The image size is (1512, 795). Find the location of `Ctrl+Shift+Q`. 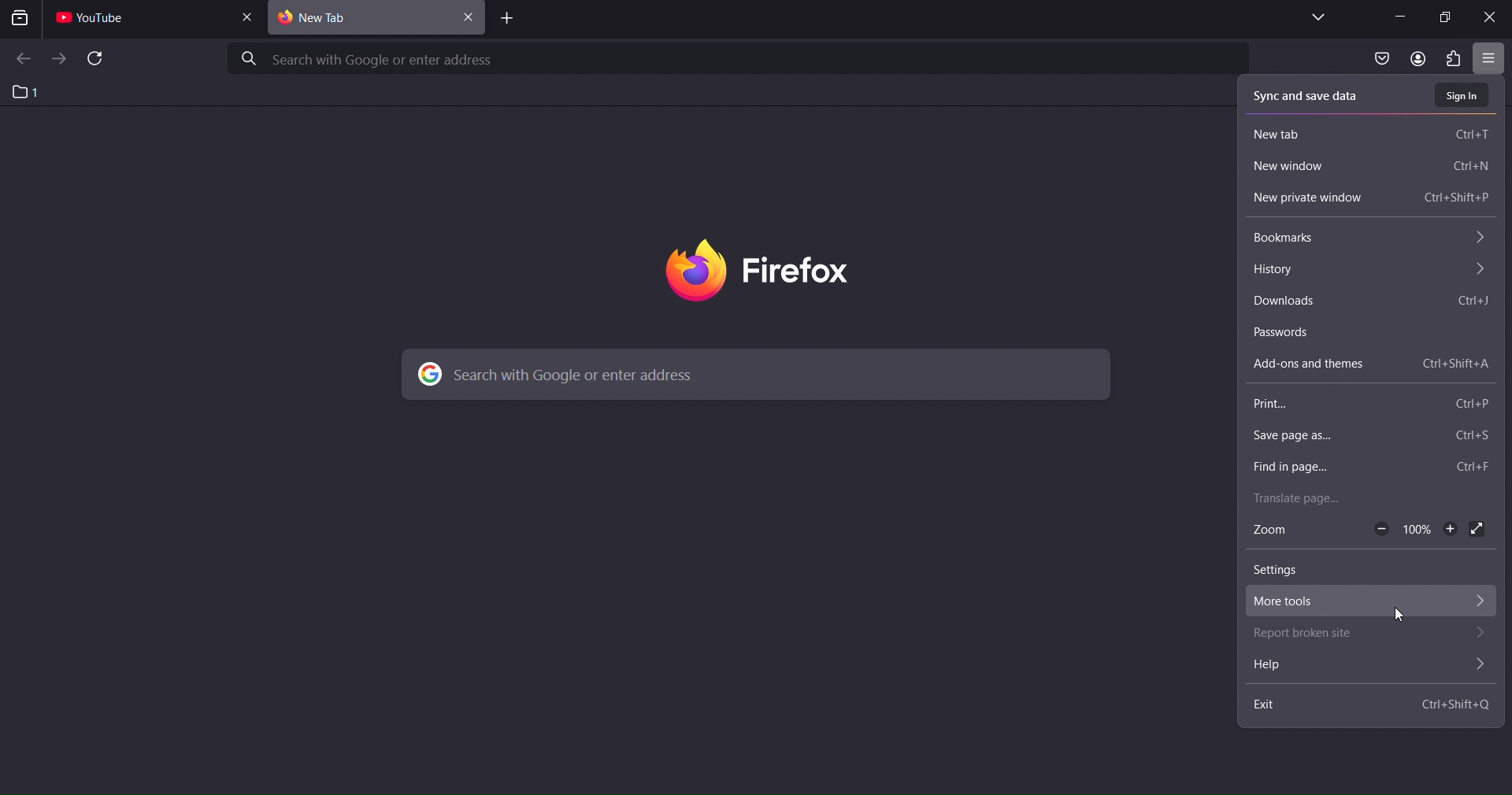

Ctrl+Shift+Q is located at coordinates (1455, 705).